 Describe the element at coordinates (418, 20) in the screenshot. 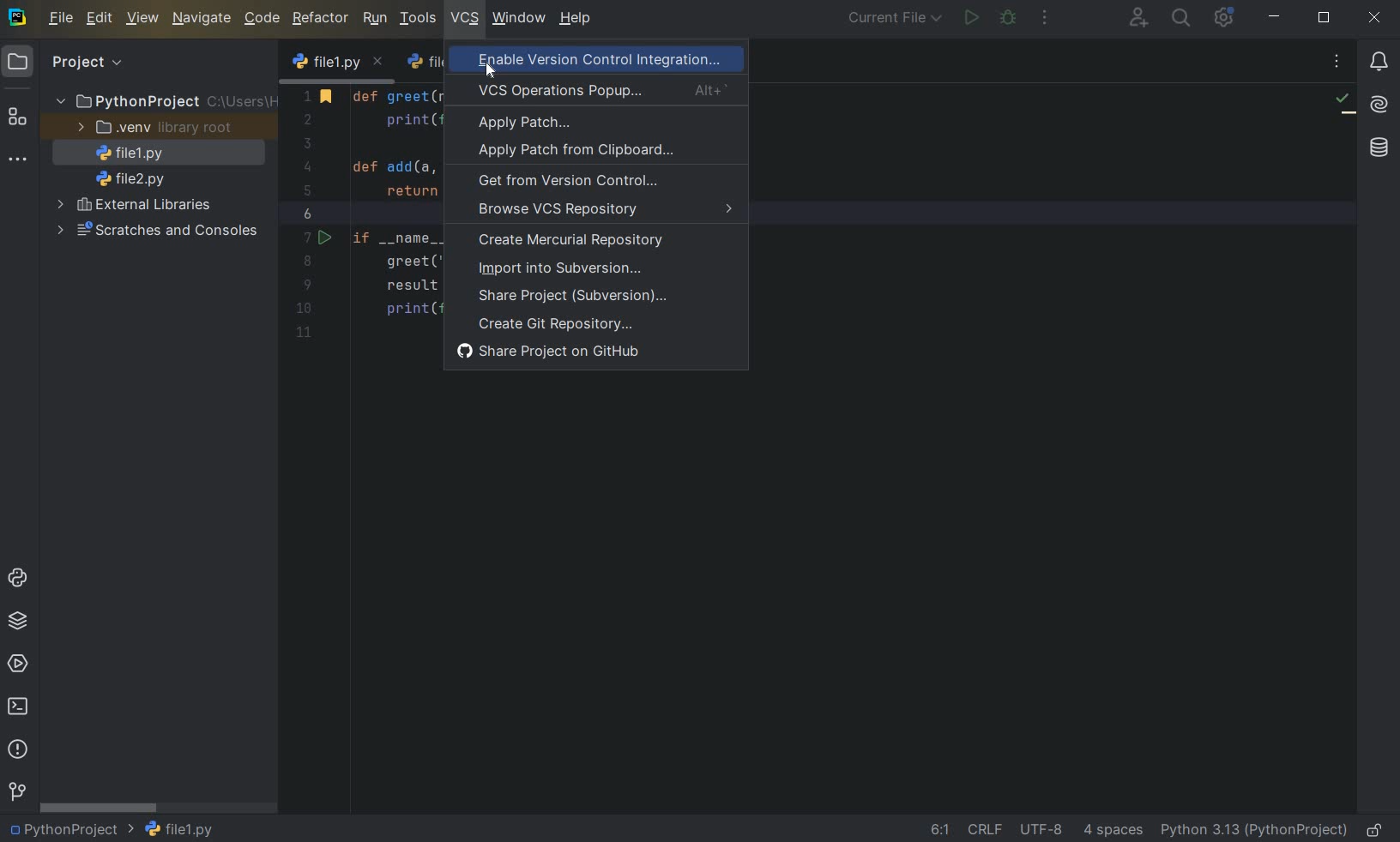

I see `tools` at that location.